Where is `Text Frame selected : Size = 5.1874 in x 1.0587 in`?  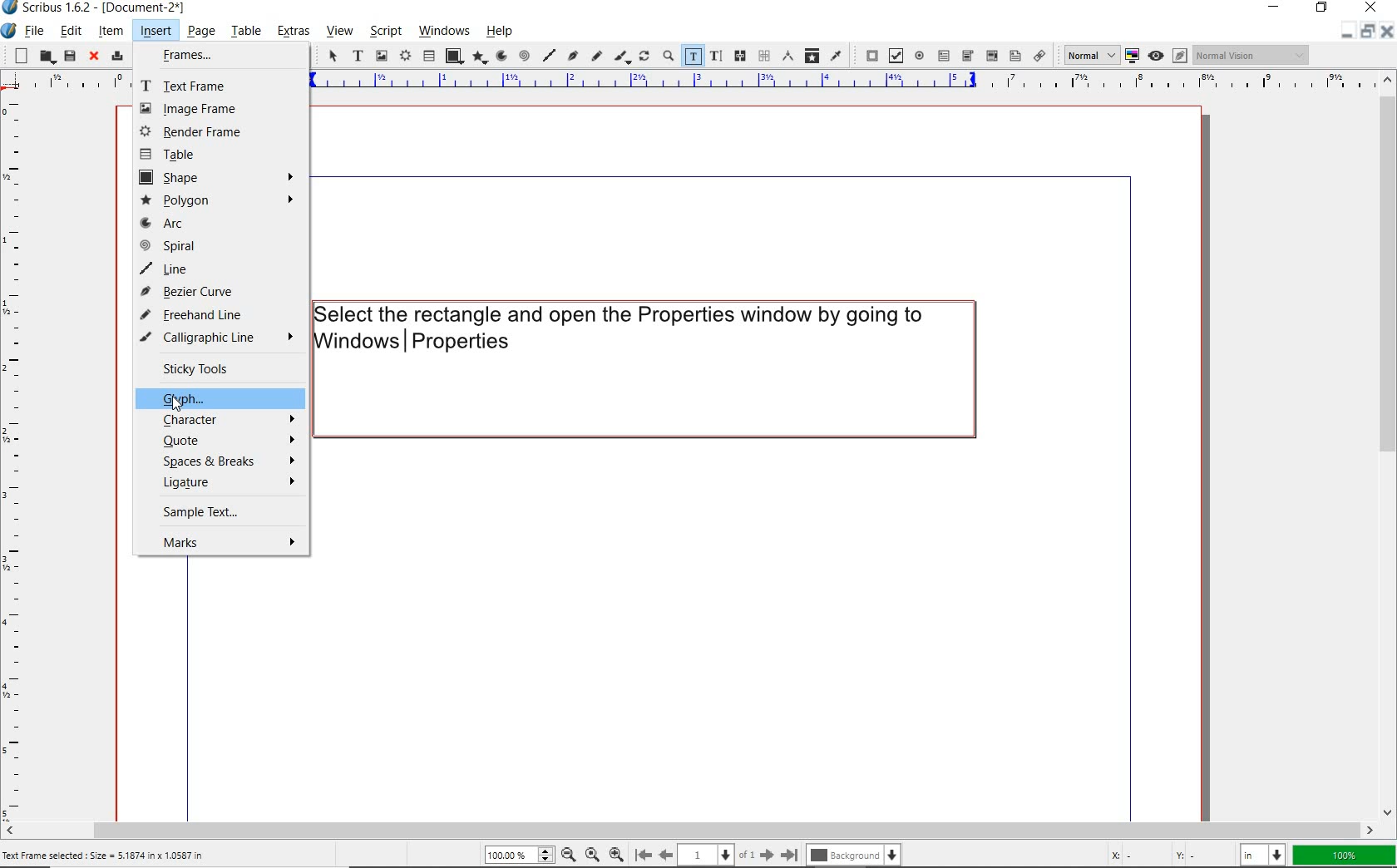
Text Frame selected : Size = 5.1874 in x 1.0587 in is located at coordinates (126, 856).